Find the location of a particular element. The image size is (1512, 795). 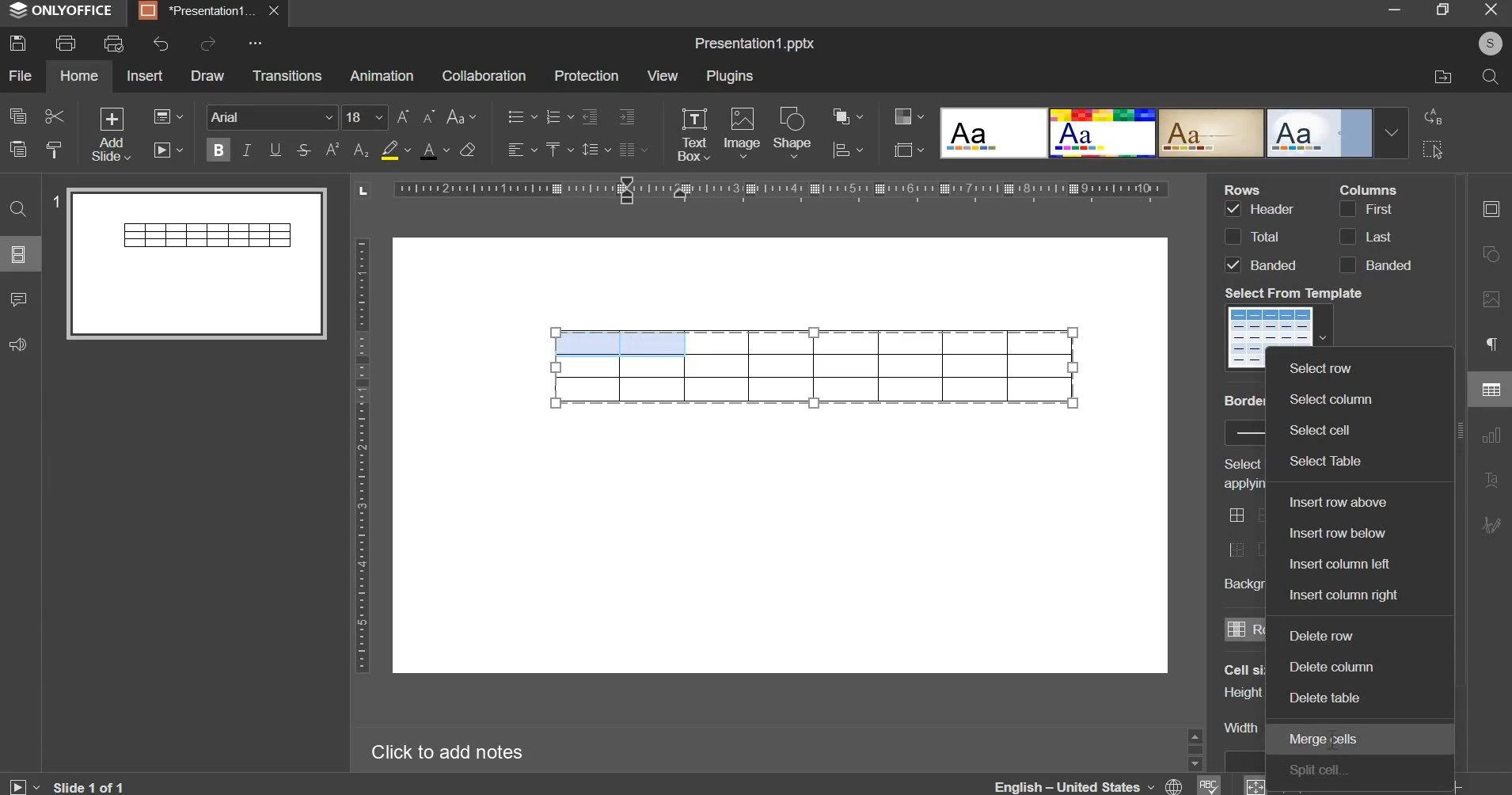

subscript & superscript is located at coordinates (347, 149).